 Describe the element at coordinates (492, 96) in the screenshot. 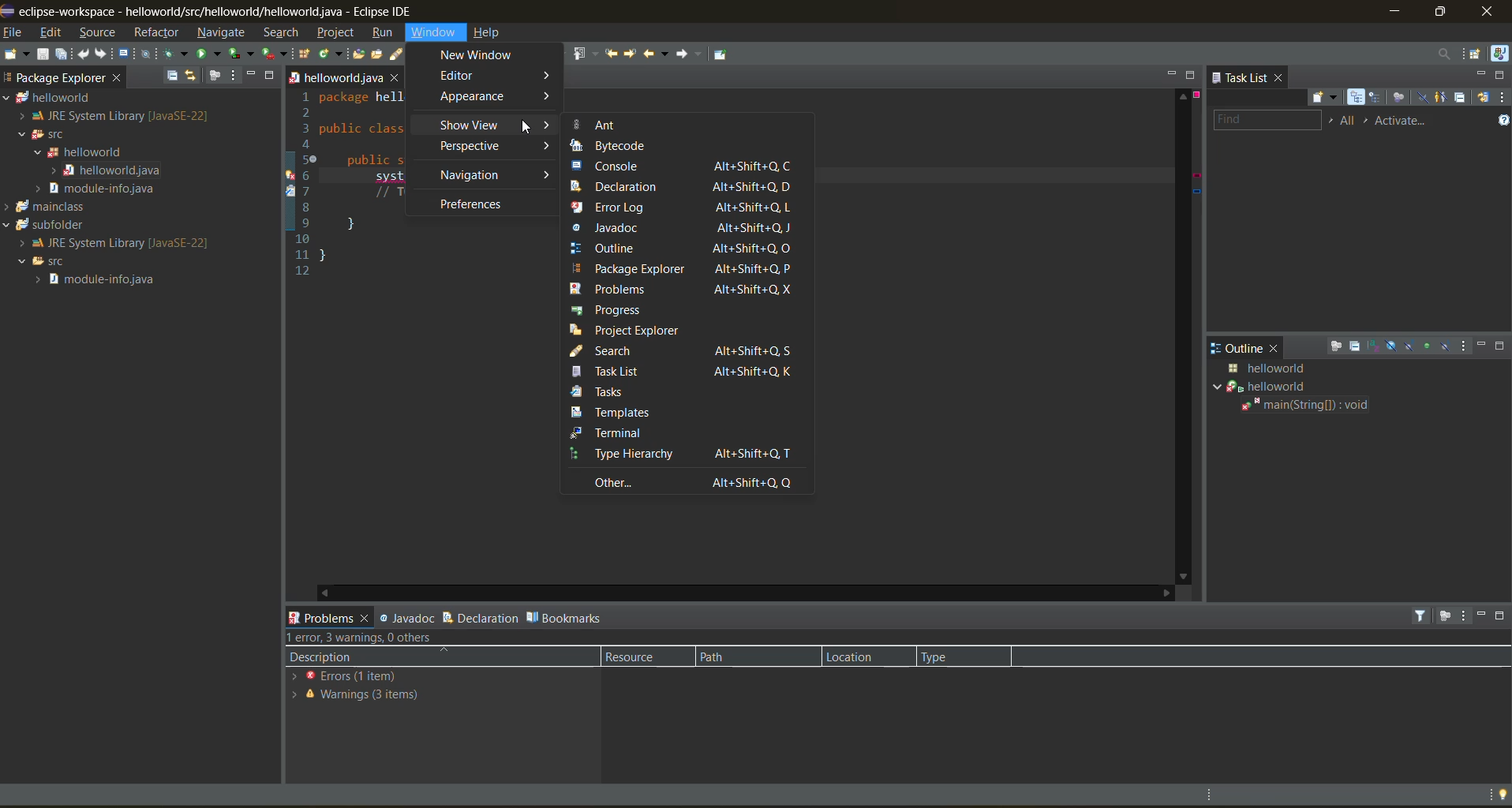

I see `appearance` at that location.